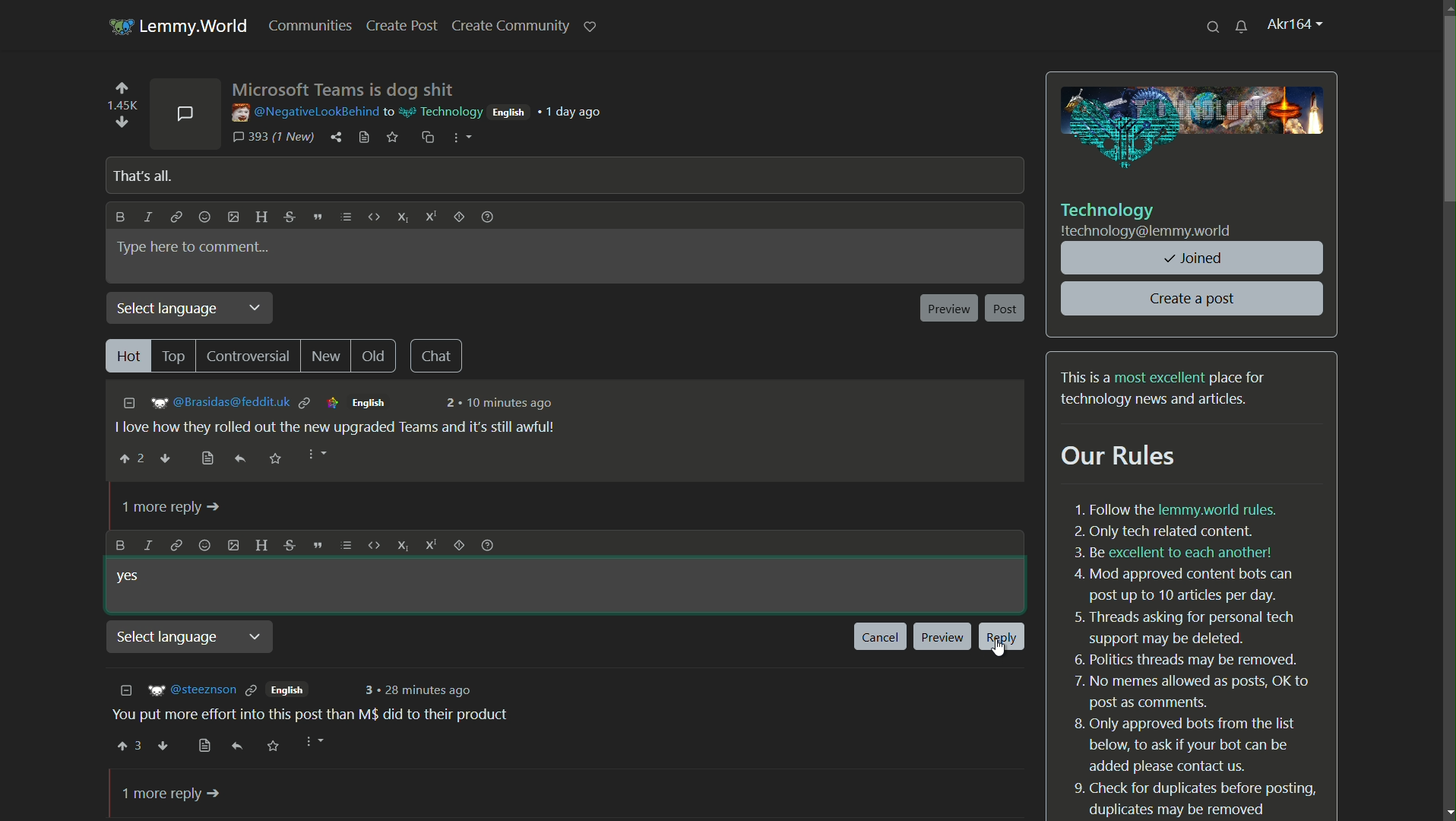 Image resolution: width=1456 pixels, height=821 pixels. Describe the element at coordinates (233, 217) in the screenshot. I see `add image` at that location.